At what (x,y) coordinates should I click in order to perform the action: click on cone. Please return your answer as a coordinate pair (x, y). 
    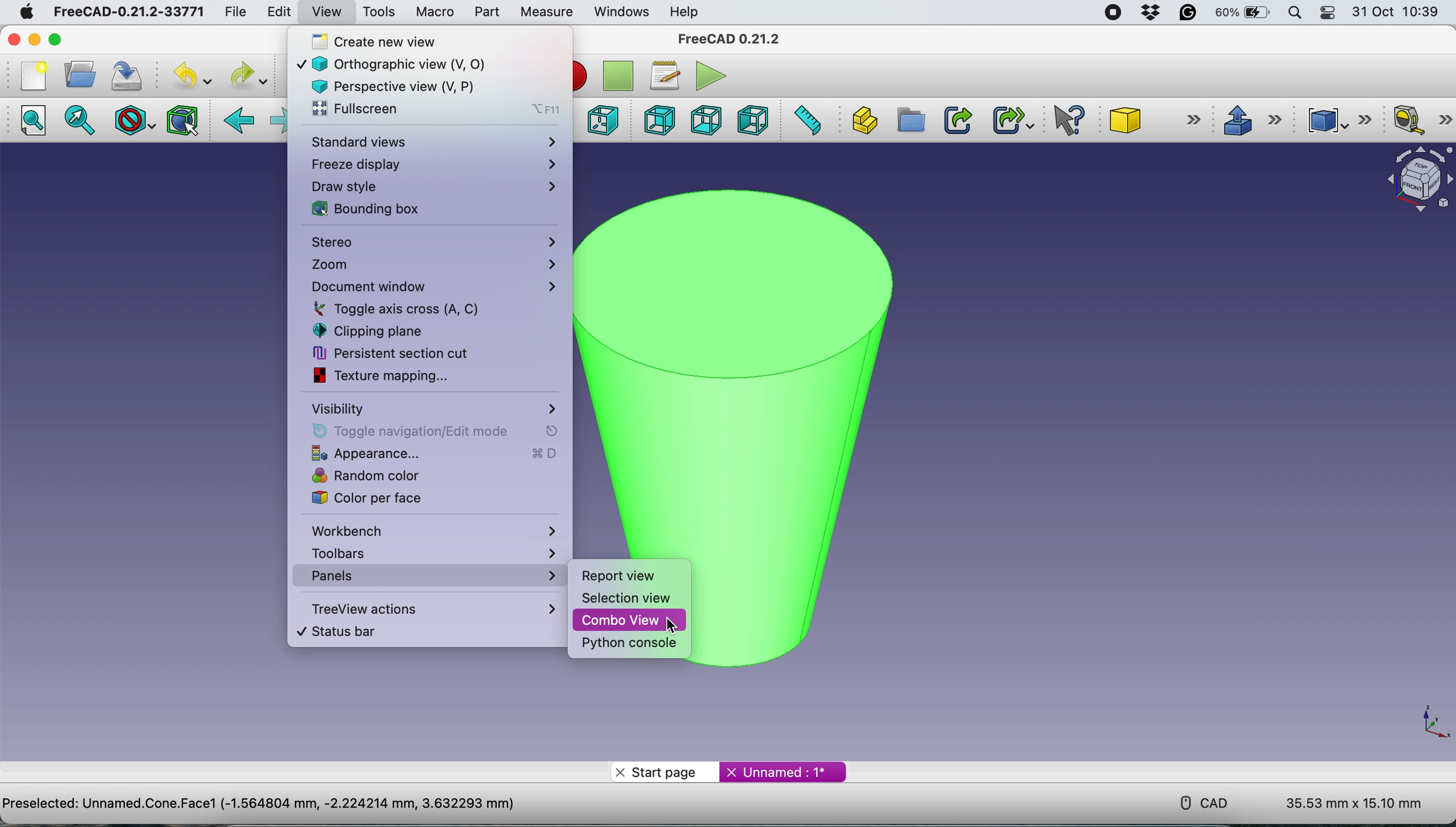
    Looking at the image, I should click on (1157, 122).